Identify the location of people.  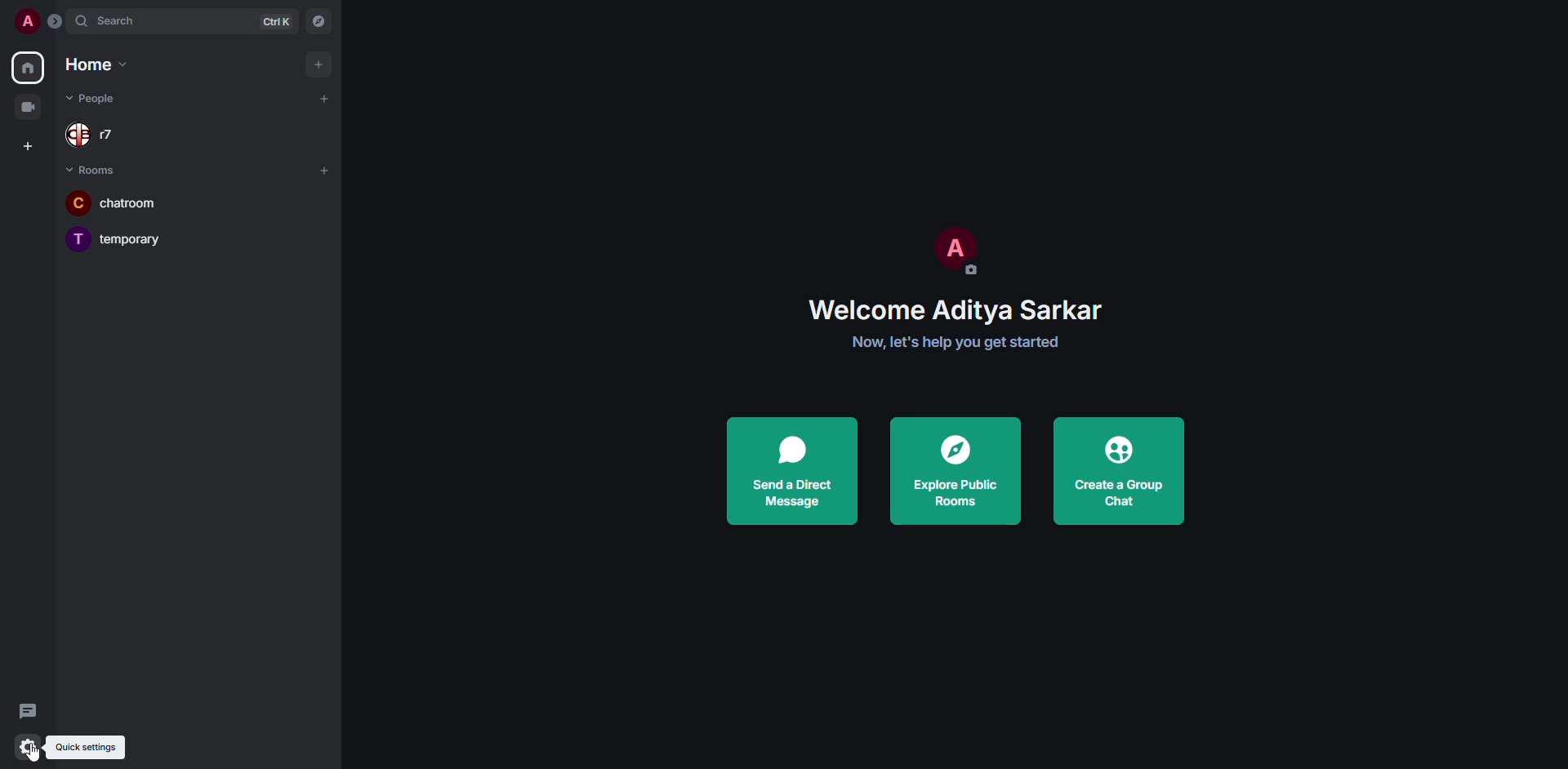
(95, 100).